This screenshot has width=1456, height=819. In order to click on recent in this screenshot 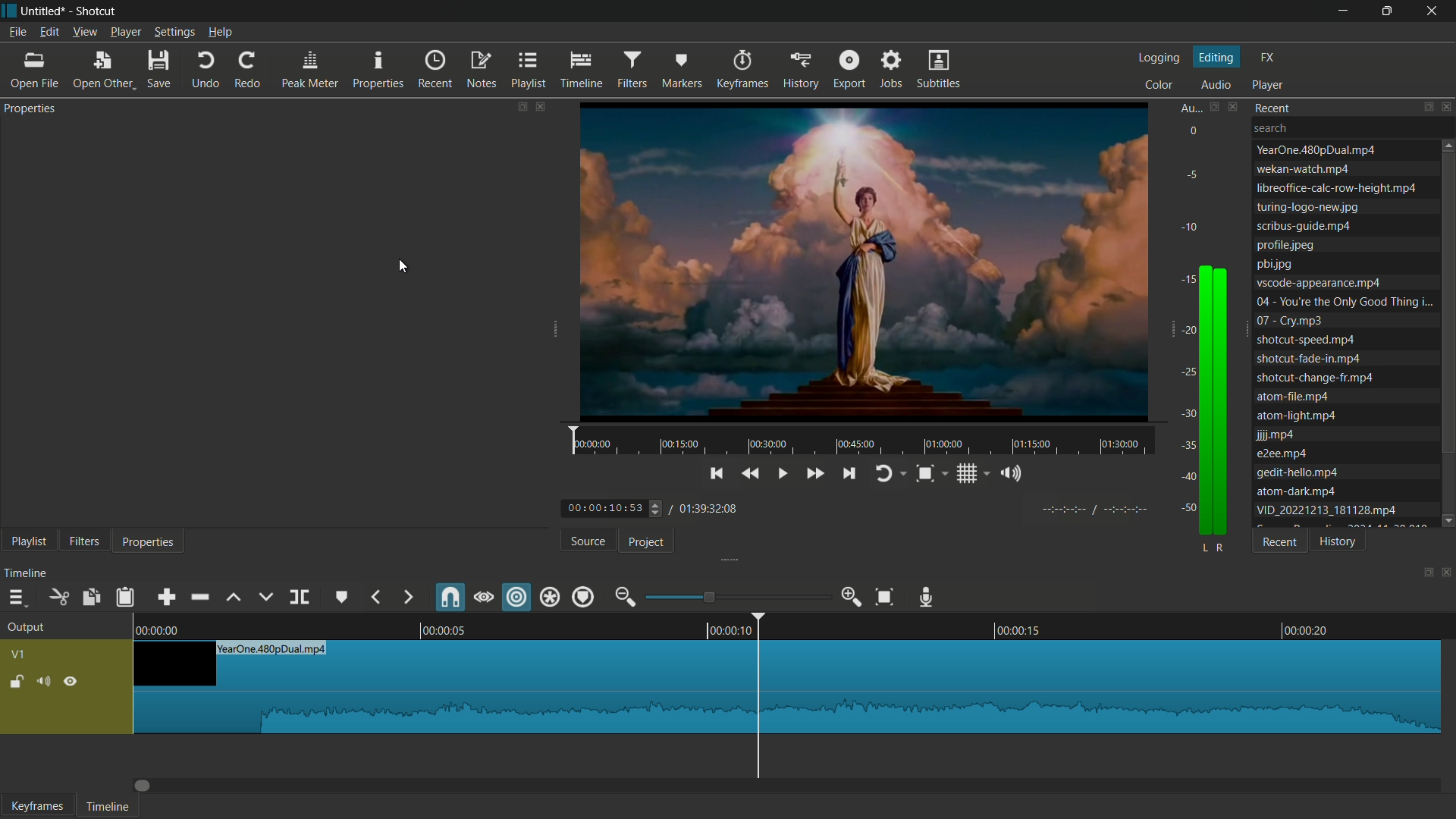, I will do `click(1280, 541)`.